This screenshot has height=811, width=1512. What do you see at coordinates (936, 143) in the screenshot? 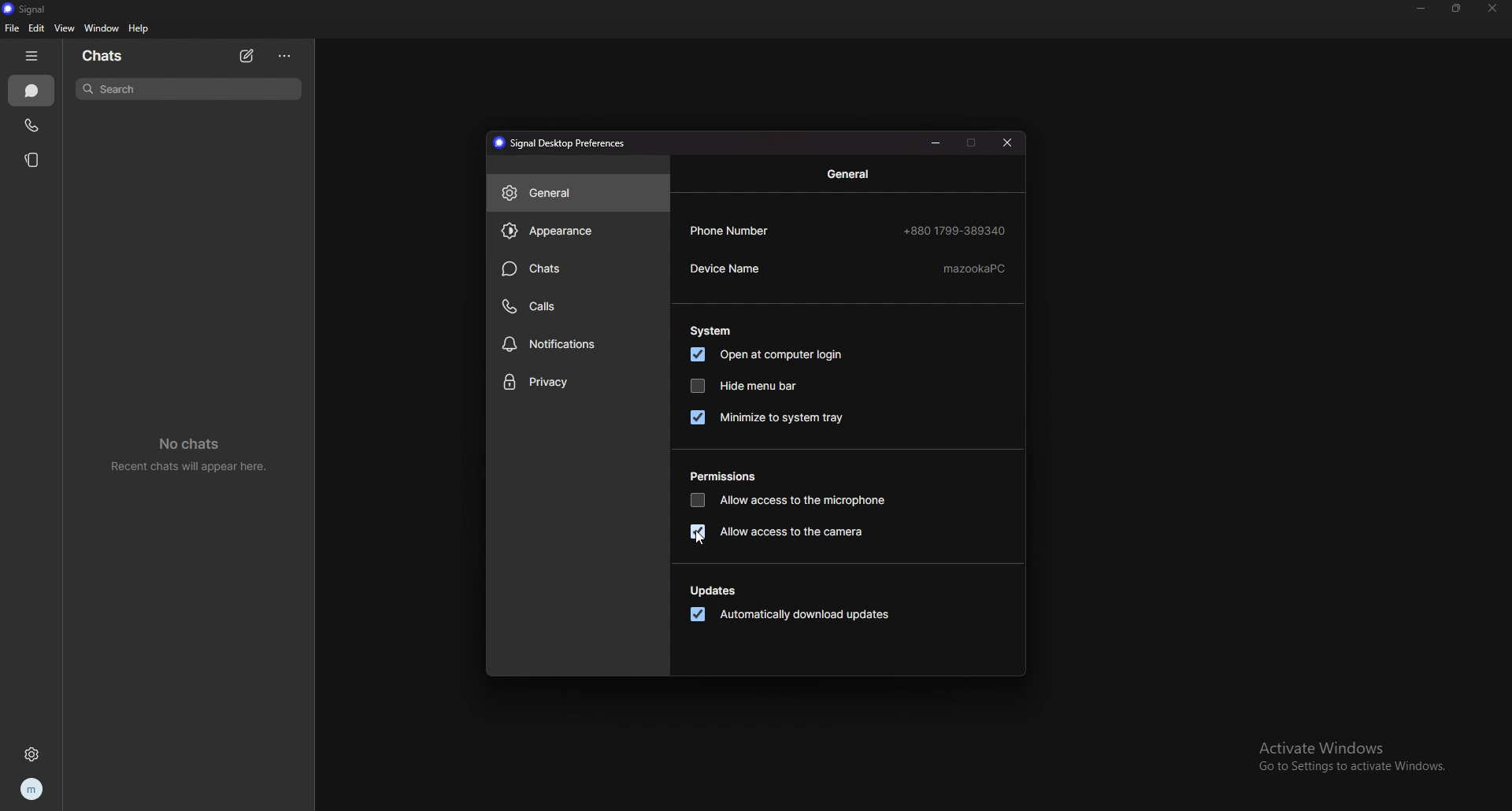
I see `minimize` at bounding box center [936, 143].